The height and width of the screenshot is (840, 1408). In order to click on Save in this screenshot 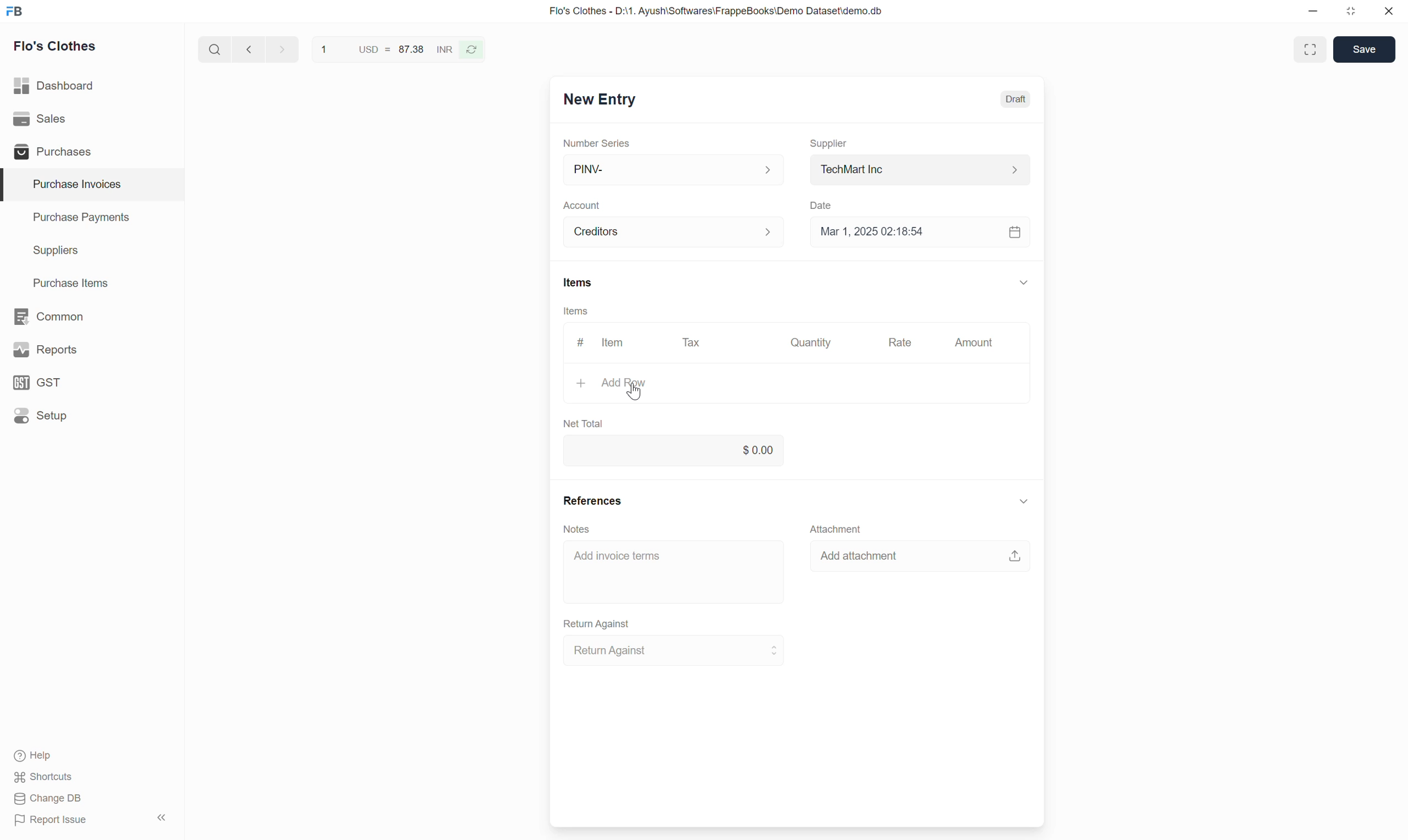, I will do `click(1364, 49)`.